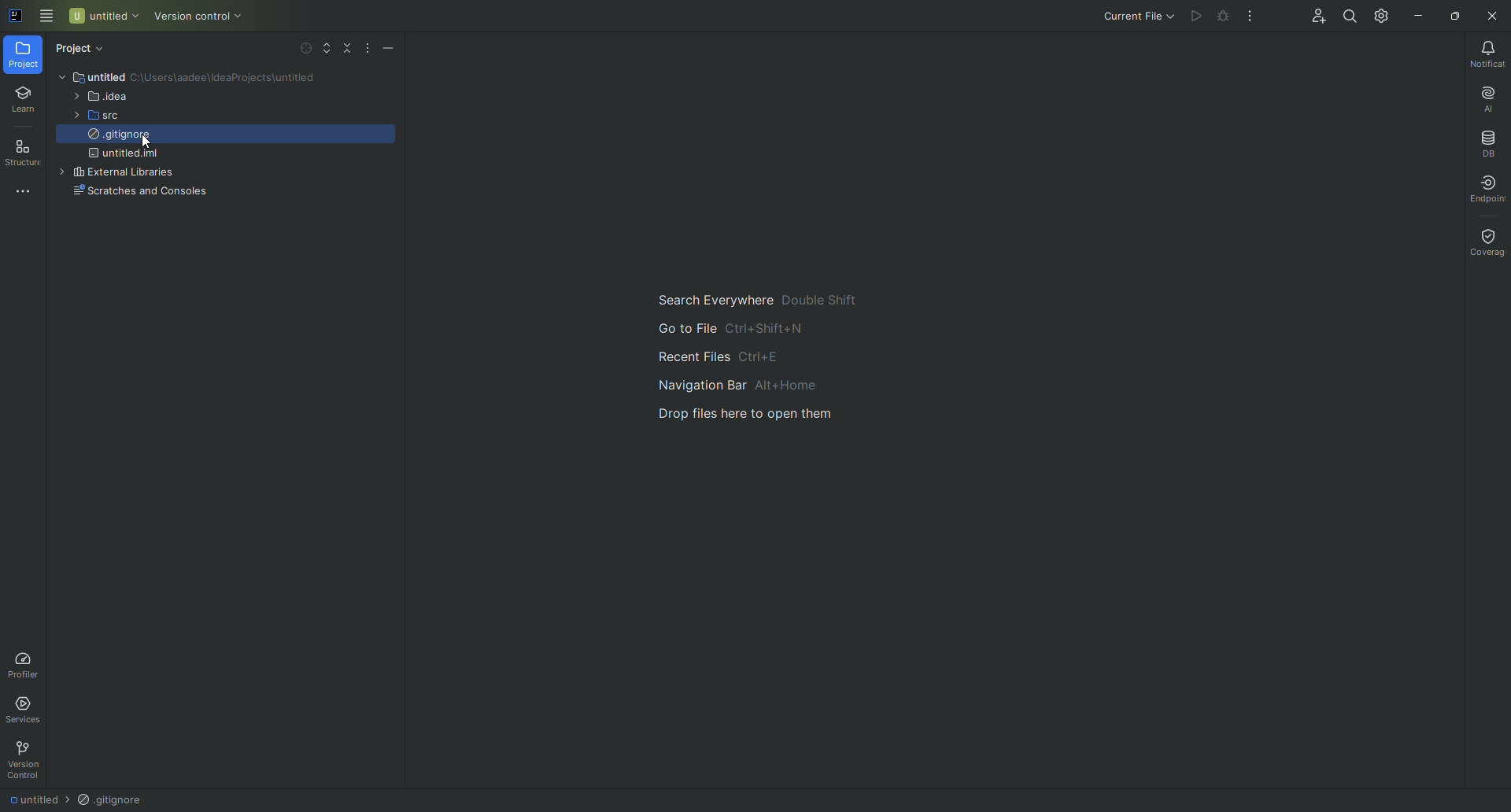 Image resolution: width=1511 pixels, height=812 pixels. I want to click on Close, so click(1494, 16).